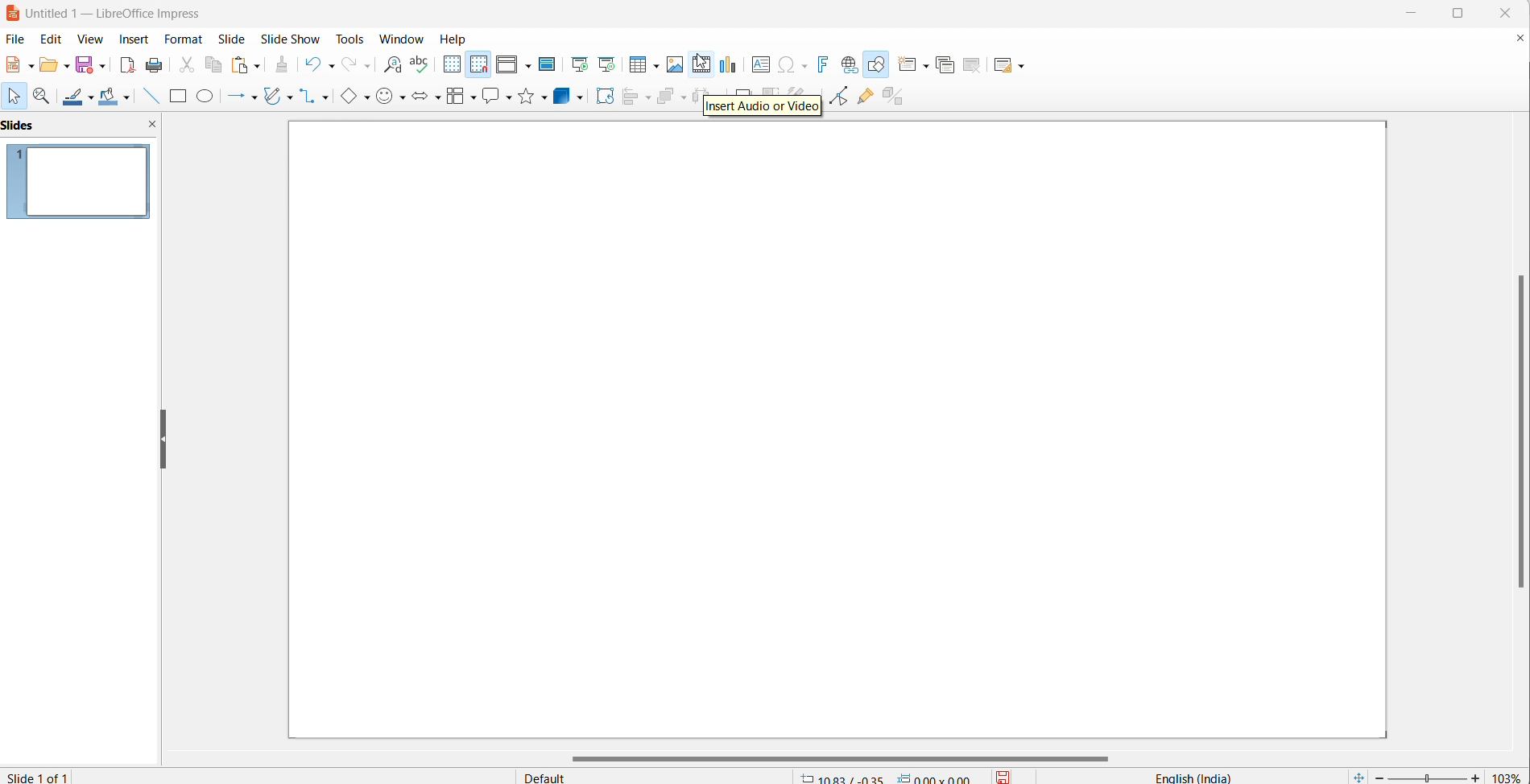 Image resolution: width=1530 pixels, height=784 pixels. I want to click on clone formatting, so click(284, 65).